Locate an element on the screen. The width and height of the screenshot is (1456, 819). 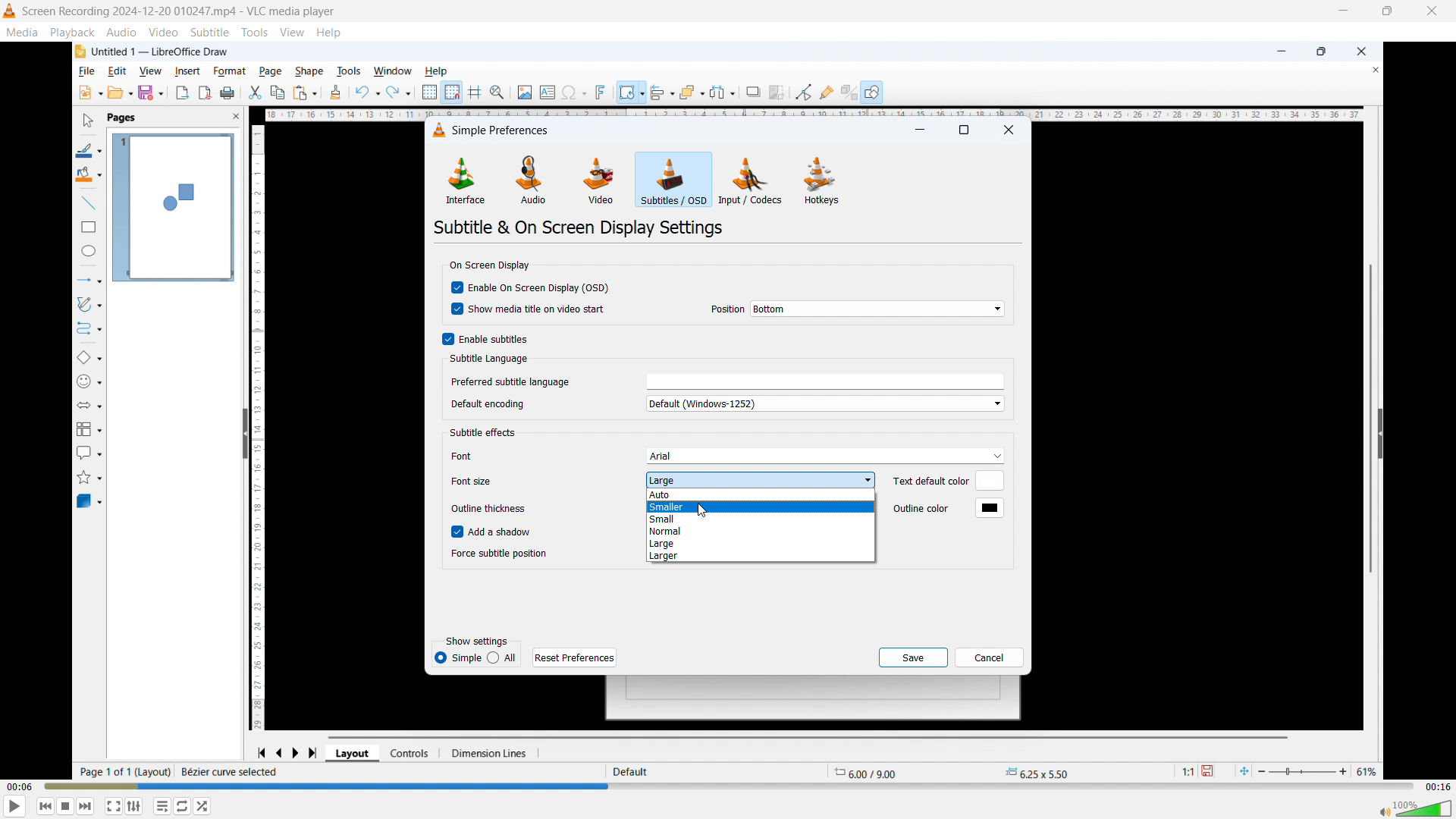
Tools  is located at coordinates (255, 32).